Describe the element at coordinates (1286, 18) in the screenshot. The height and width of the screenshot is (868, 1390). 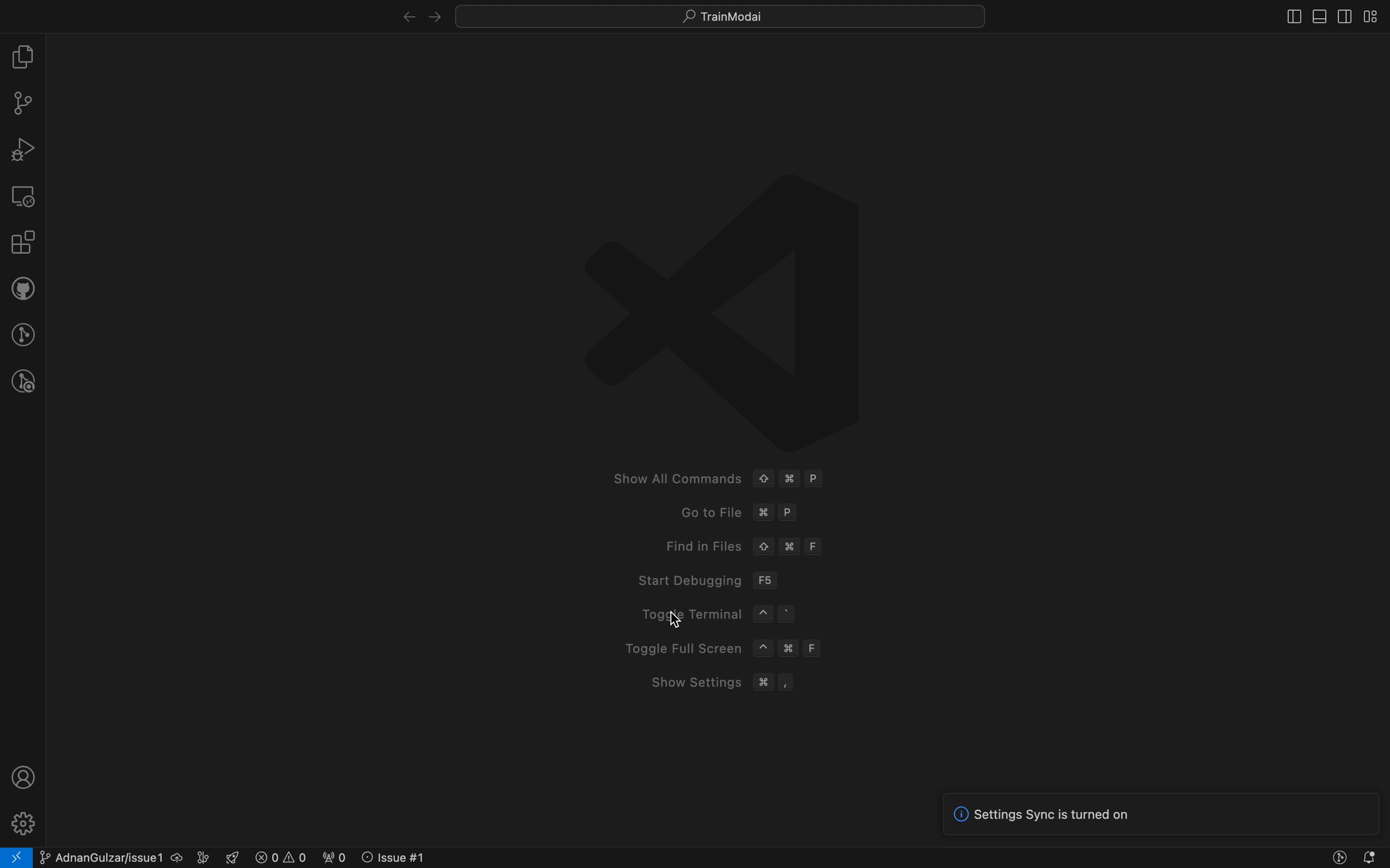
I see `close slidebar` at that location.